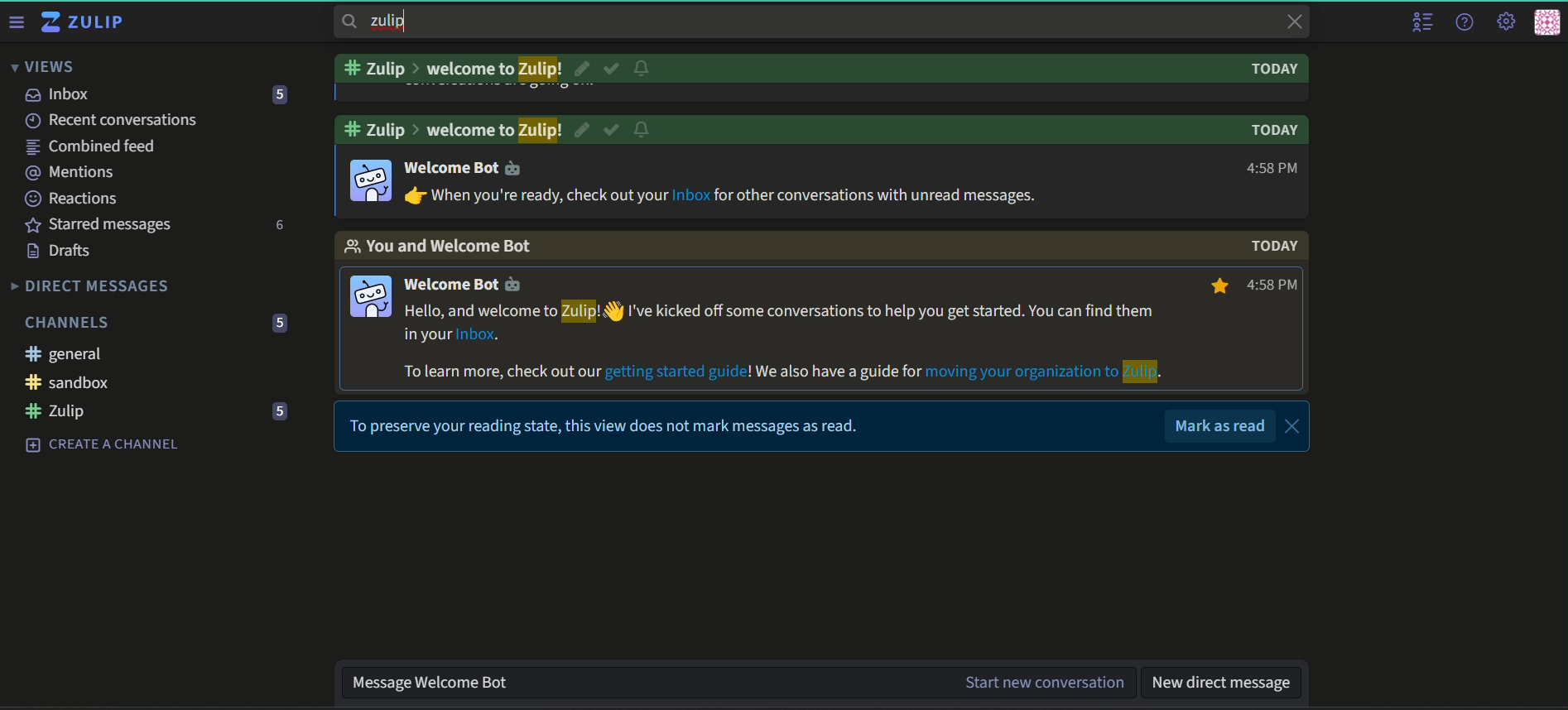  What do you see at coordinates (92, 286) in the screenshot?
I see `Direct Messages` at bounding box center [92, 286].